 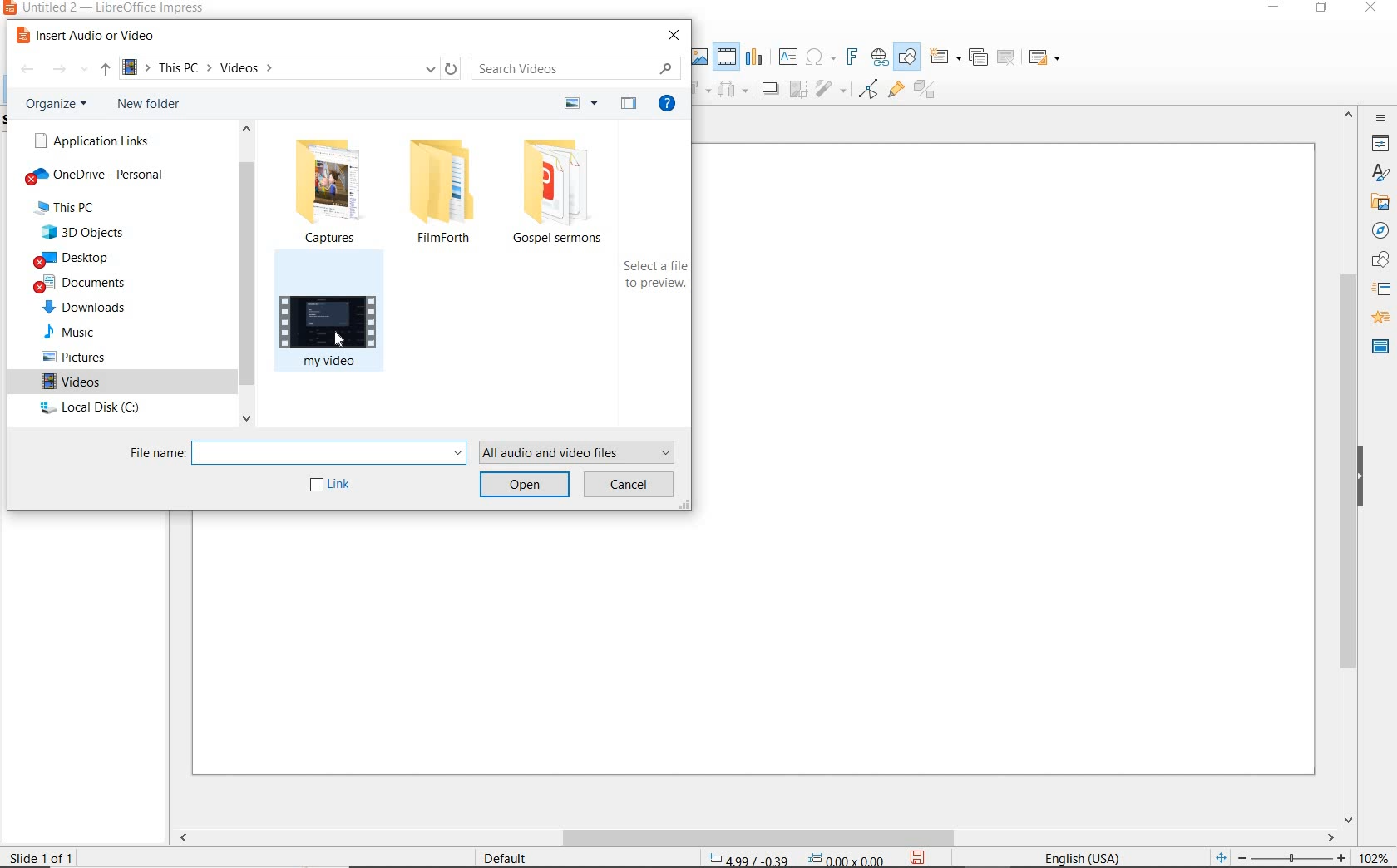 What do you see at coordinates (833, 91) in the screenshot?
I see `icon` at bounding box center [833, 91].